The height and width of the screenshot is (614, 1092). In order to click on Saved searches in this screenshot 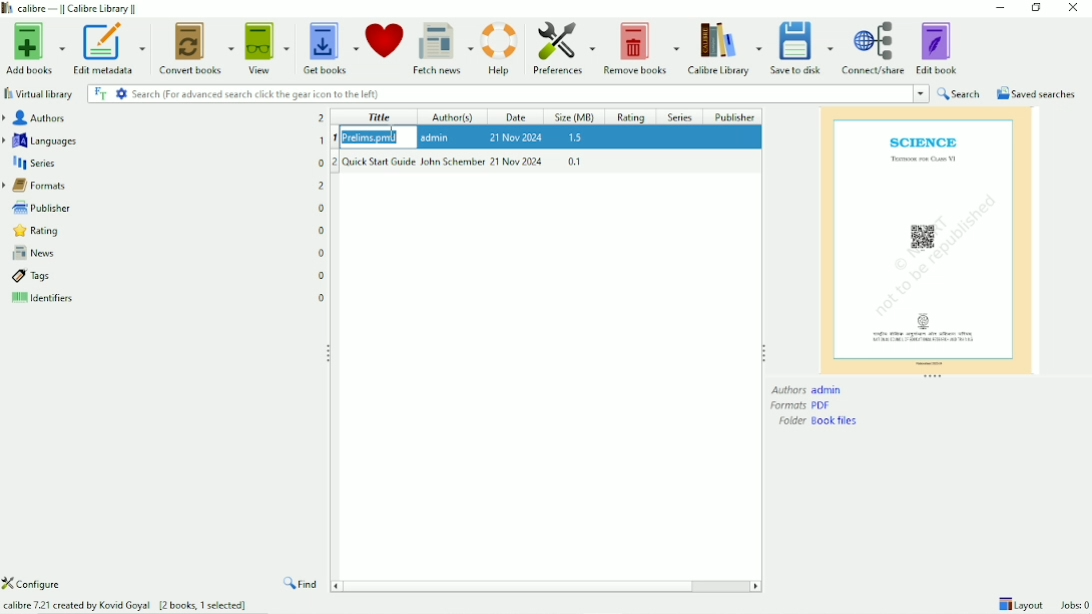, I will do `click(1035, 93)`.